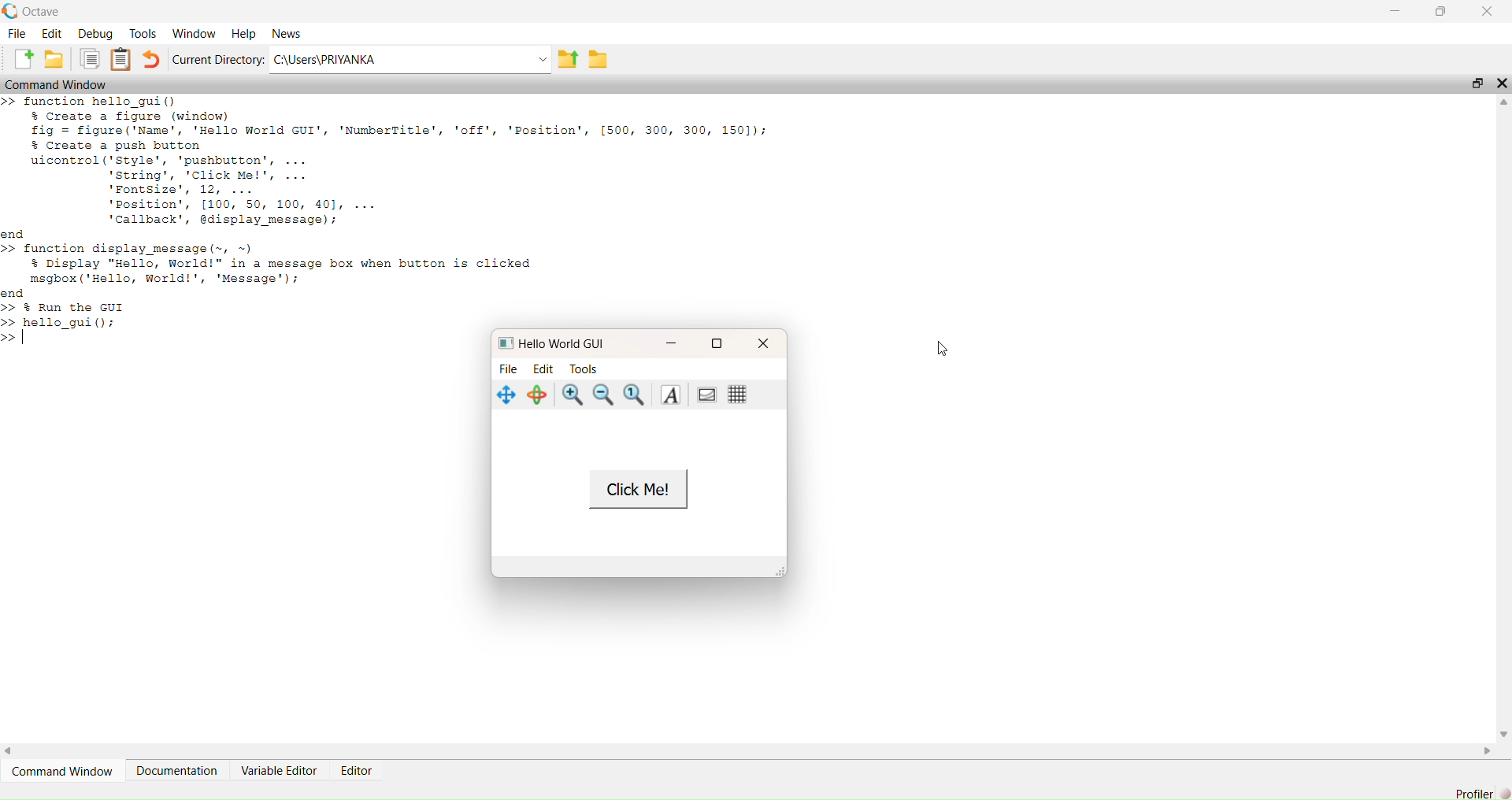 The width and height of the screenshot is (1512, 800). What do you see at coordinates (343, 59) in the screenshot?
I see `C:\Users\PRIYANKA` at bounding box center [343, 59].